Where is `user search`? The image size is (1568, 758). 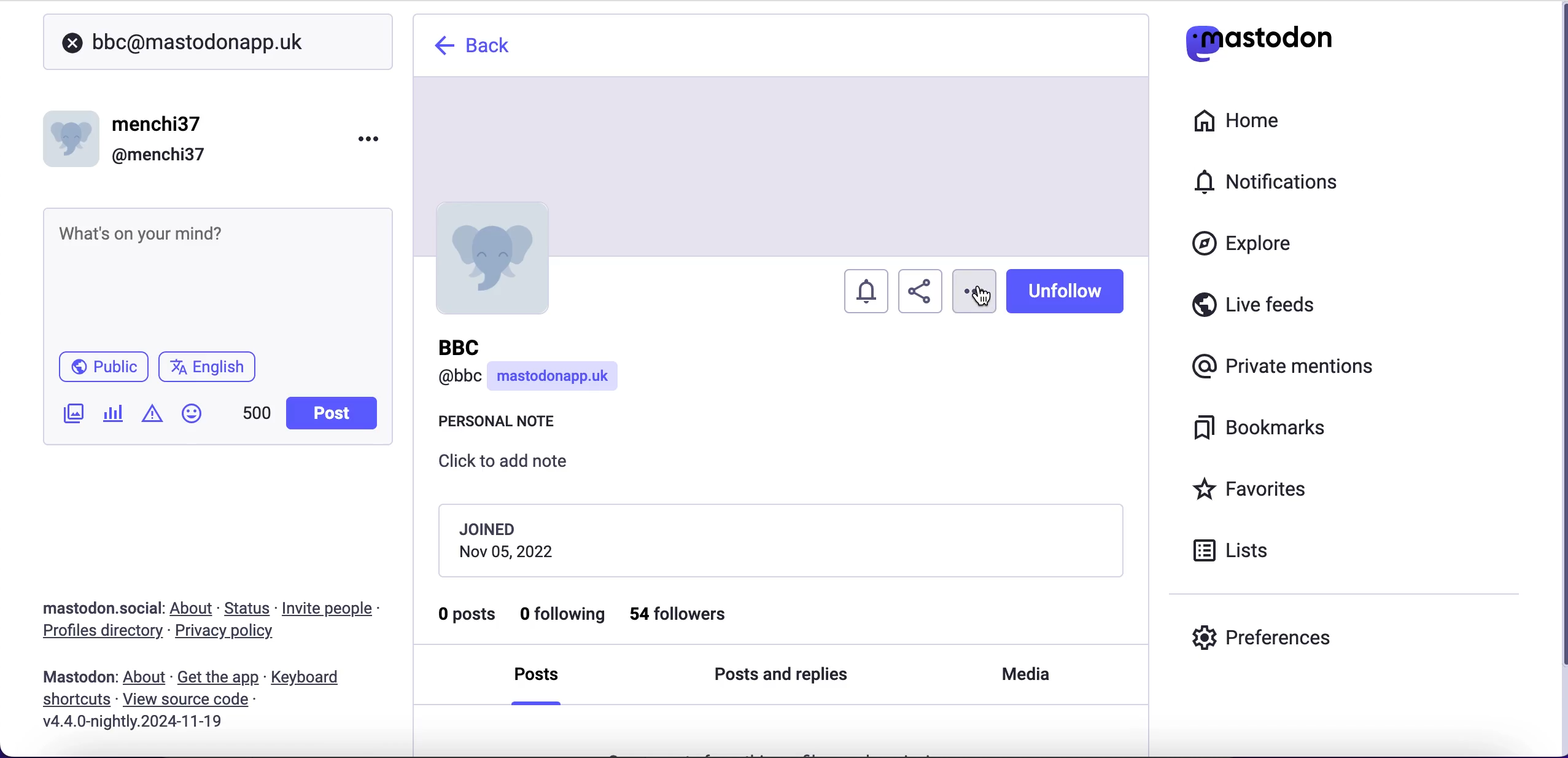 user search is located at coordinates (217, 42).